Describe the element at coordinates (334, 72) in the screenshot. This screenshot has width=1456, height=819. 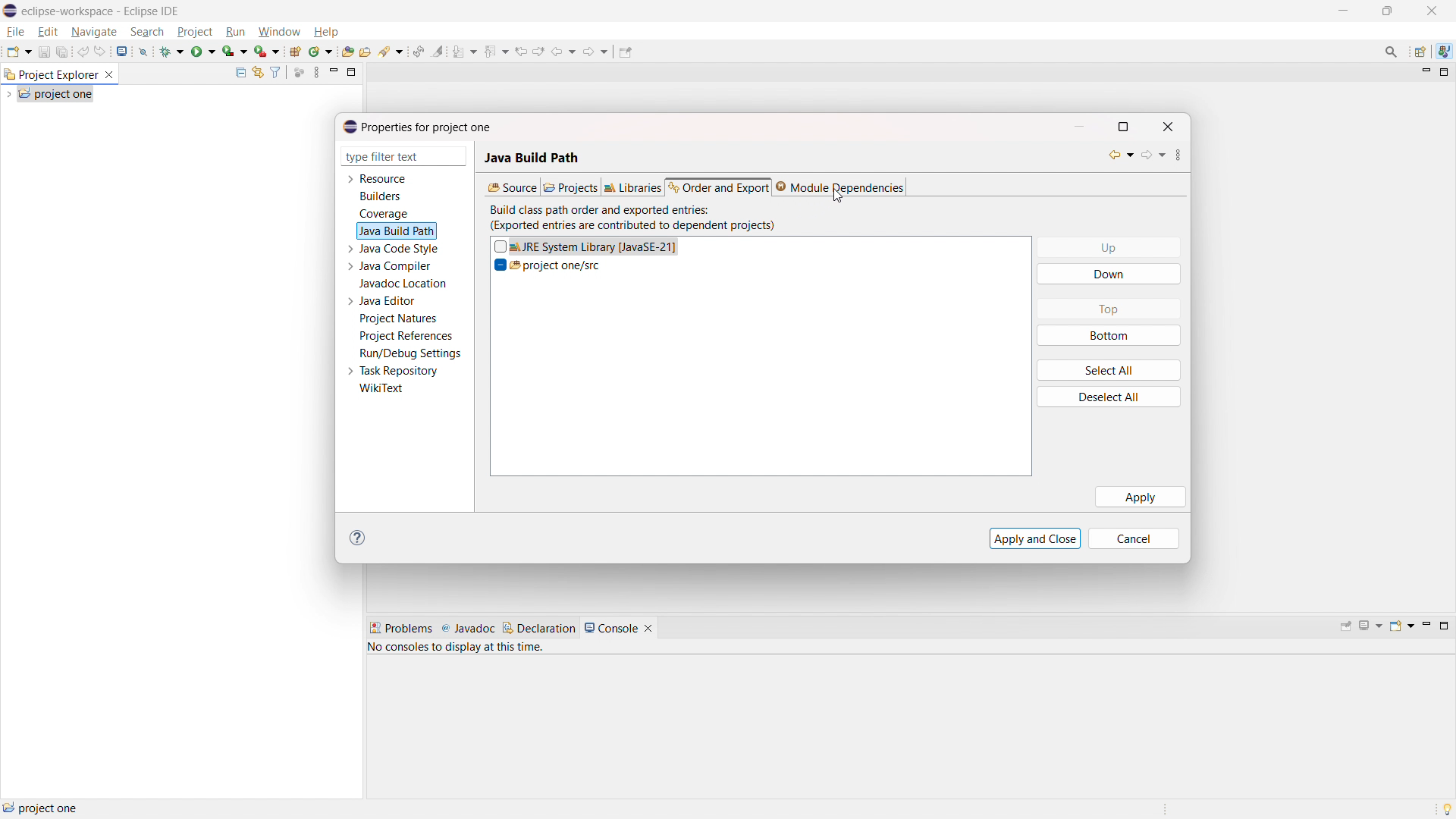
I see `minimize` at that location.